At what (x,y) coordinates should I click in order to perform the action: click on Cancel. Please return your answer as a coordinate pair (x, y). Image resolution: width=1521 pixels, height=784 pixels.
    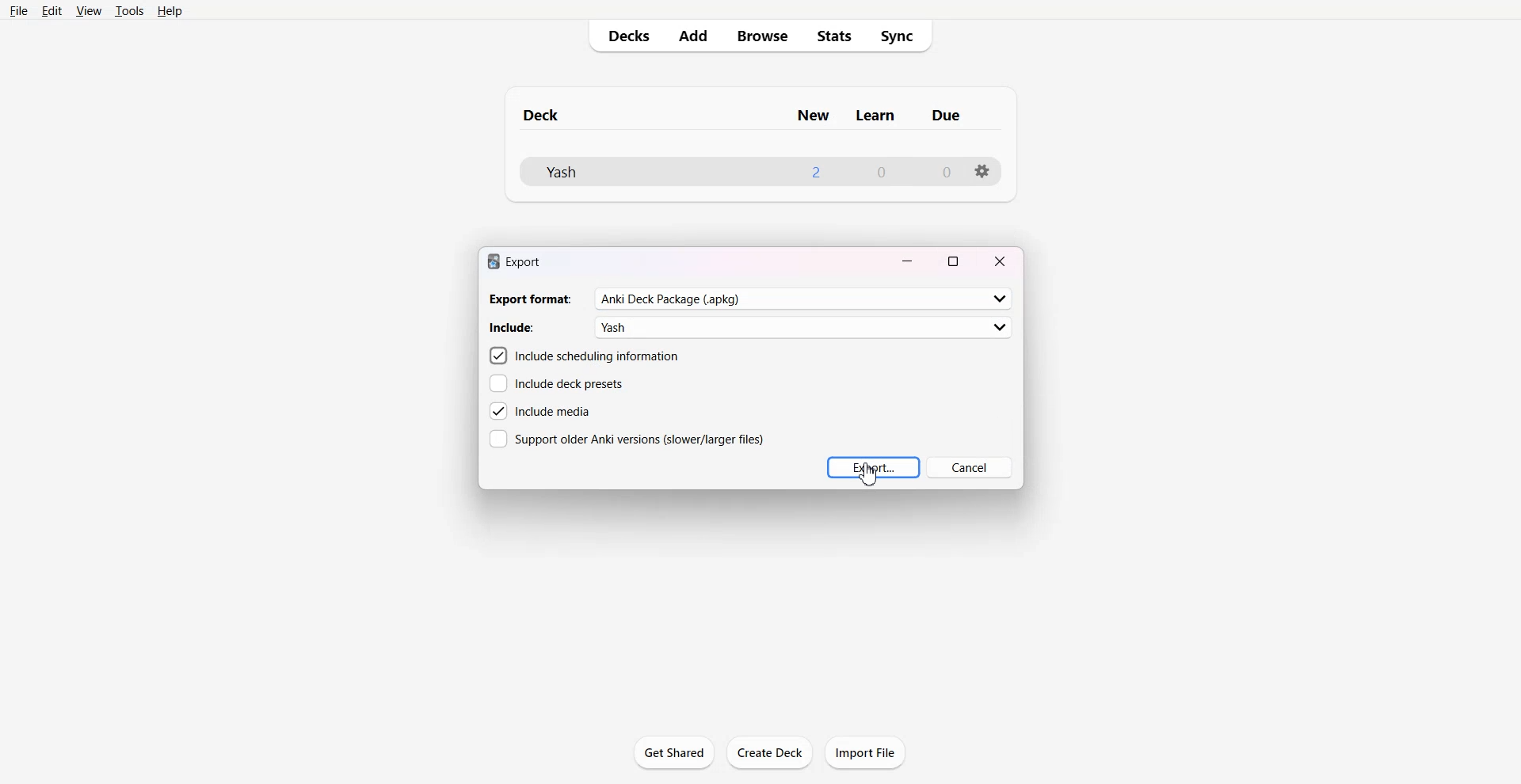
    Looking at the image, I should click on (969, 467).